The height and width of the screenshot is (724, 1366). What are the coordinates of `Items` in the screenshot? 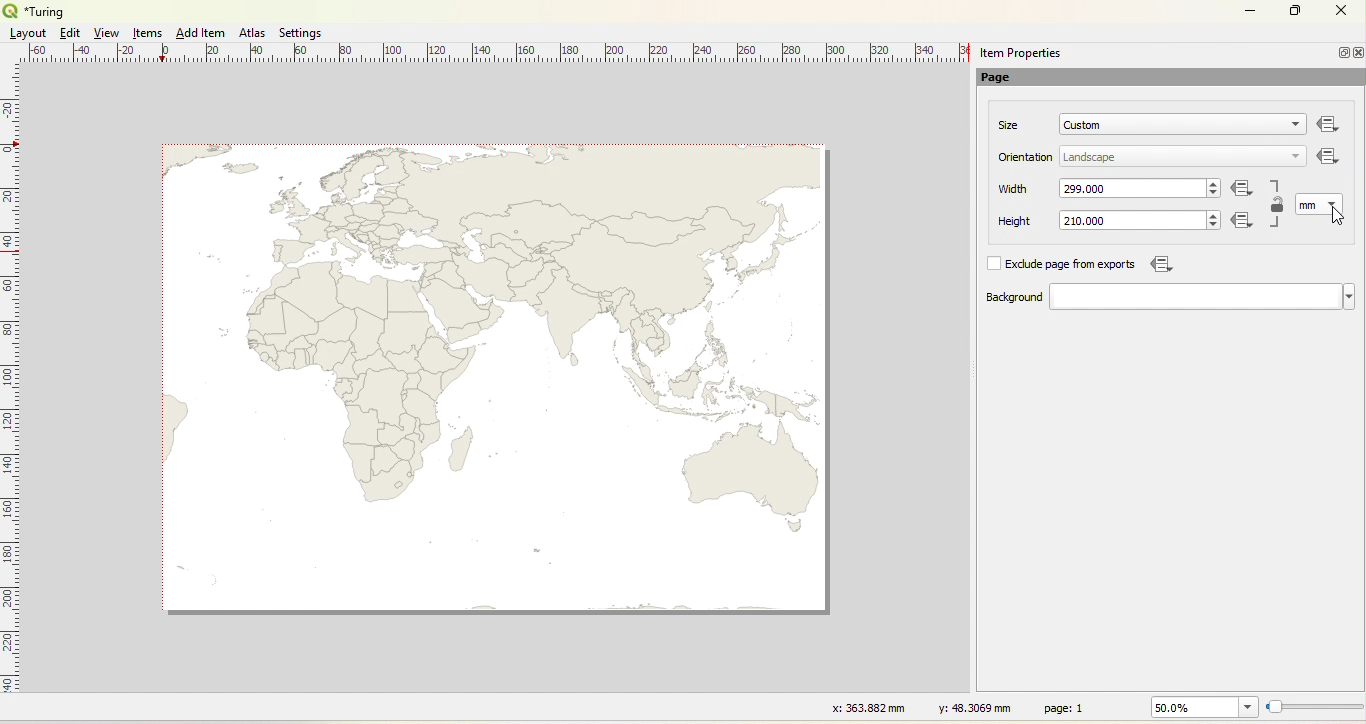 It's located at (149, 34).